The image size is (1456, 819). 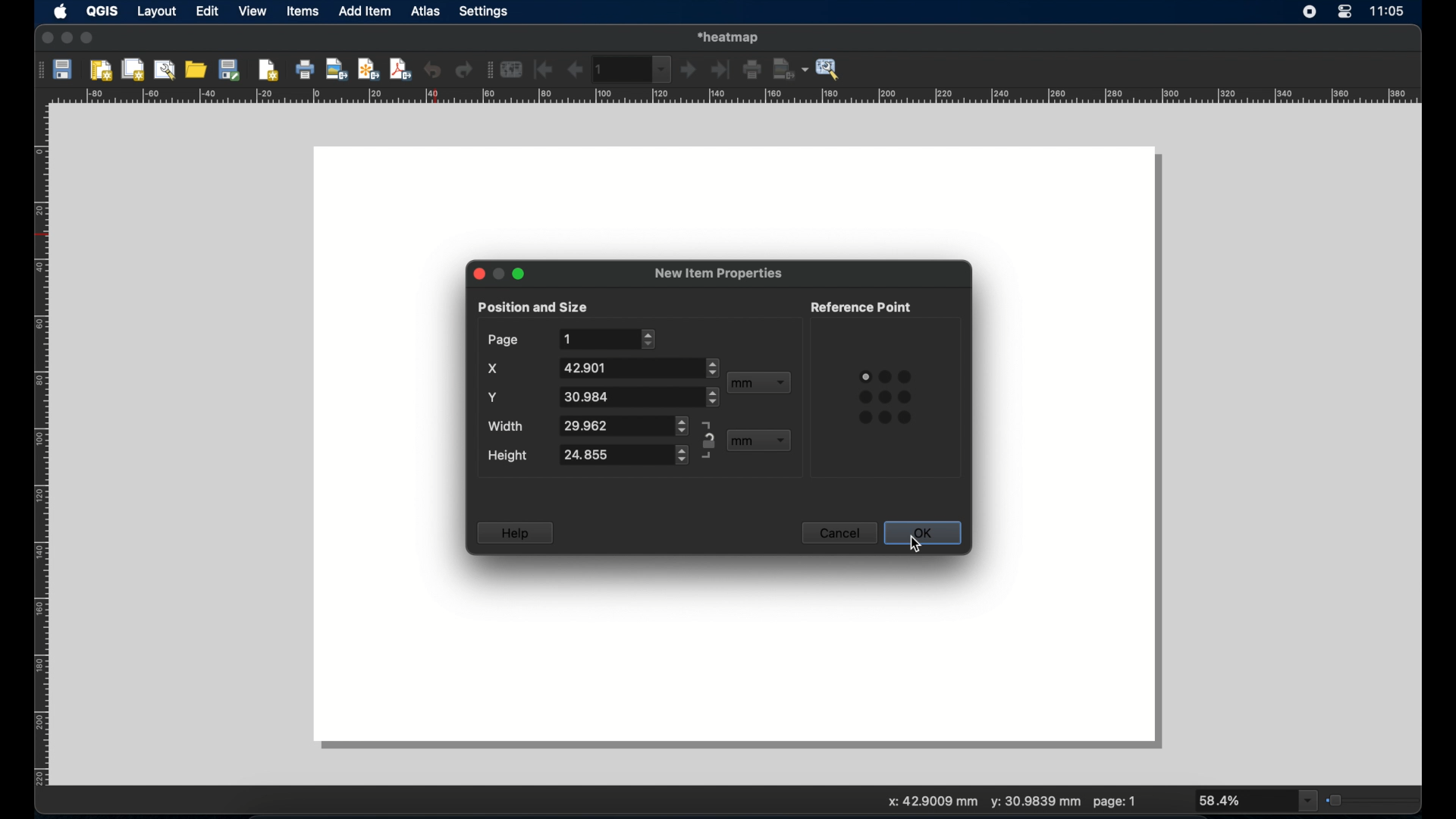 I want to click on mm dropdown, so click(x=760, y=383).